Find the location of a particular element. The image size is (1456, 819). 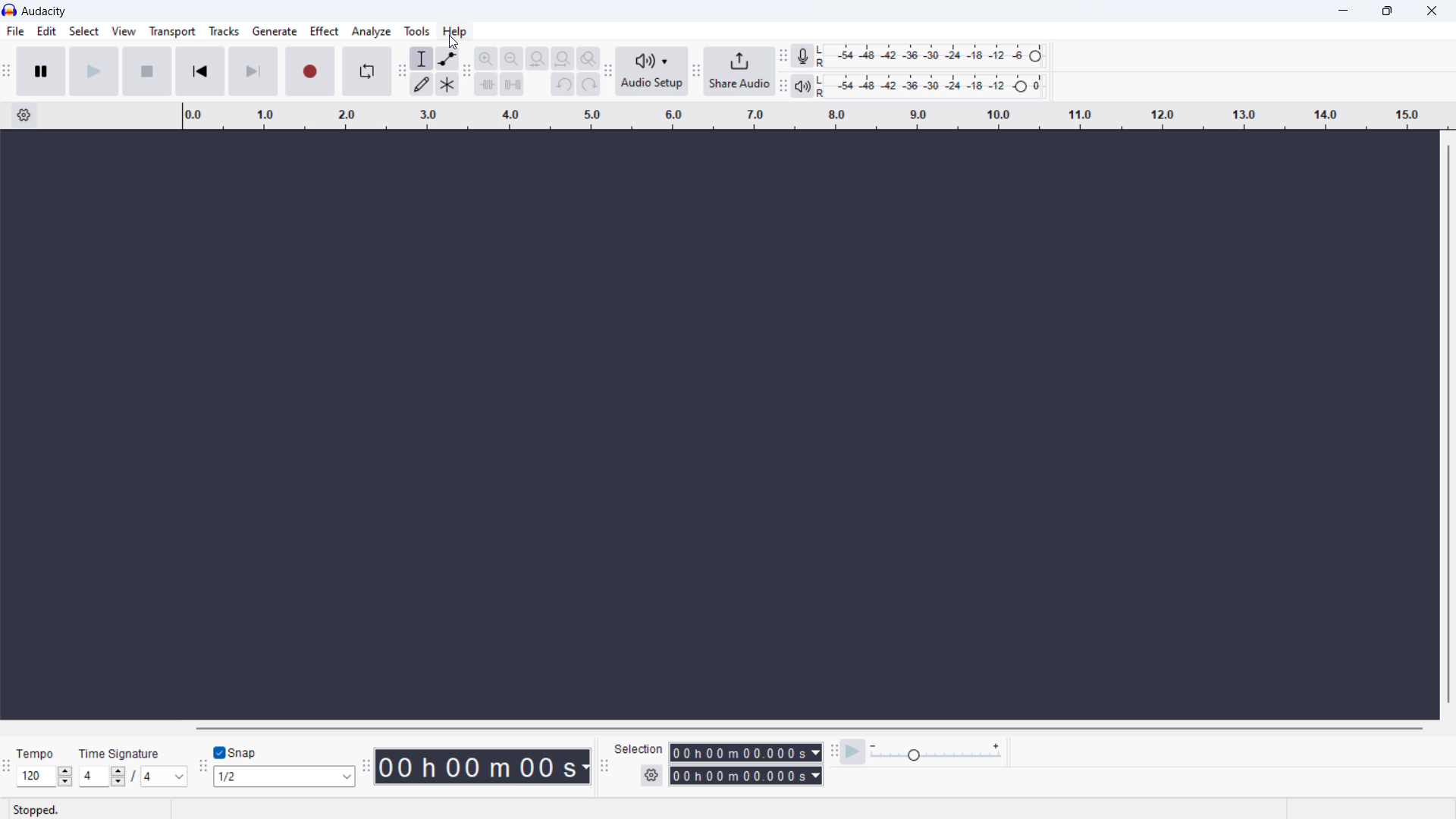

audio setup toolbar is located at coordinates (609, 72).